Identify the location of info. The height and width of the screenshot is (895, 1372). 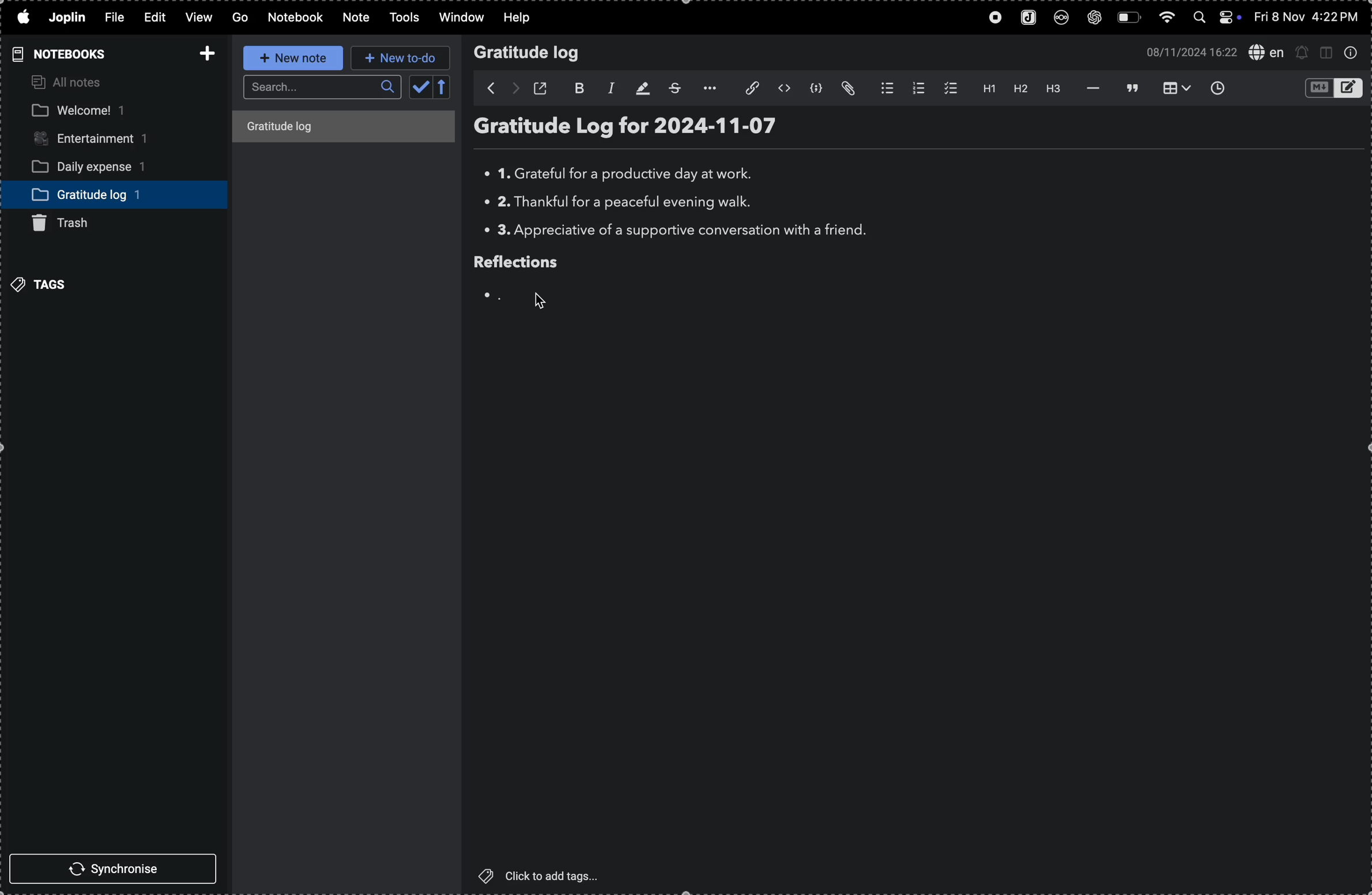
(1355, 55).